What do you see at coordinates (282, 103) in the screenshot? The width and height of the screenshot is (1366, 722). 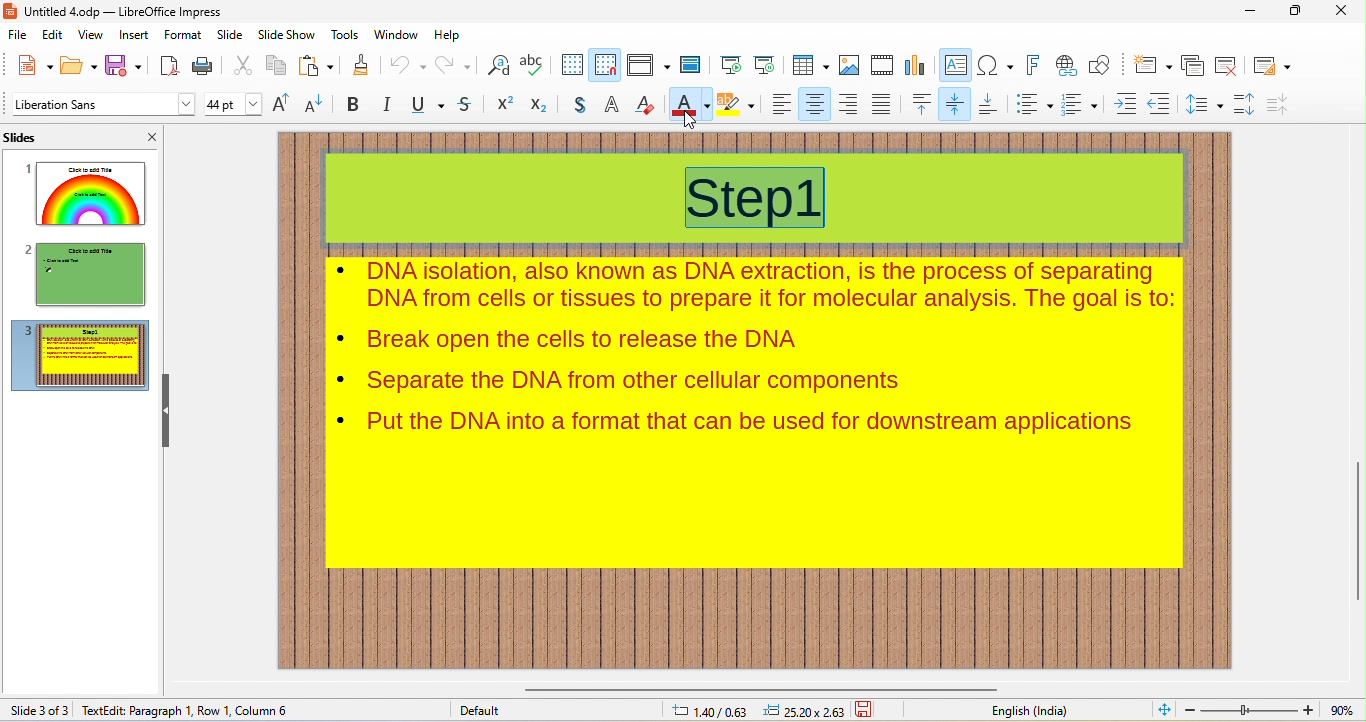 I see `increment text size` at bounding box center [282, 103].